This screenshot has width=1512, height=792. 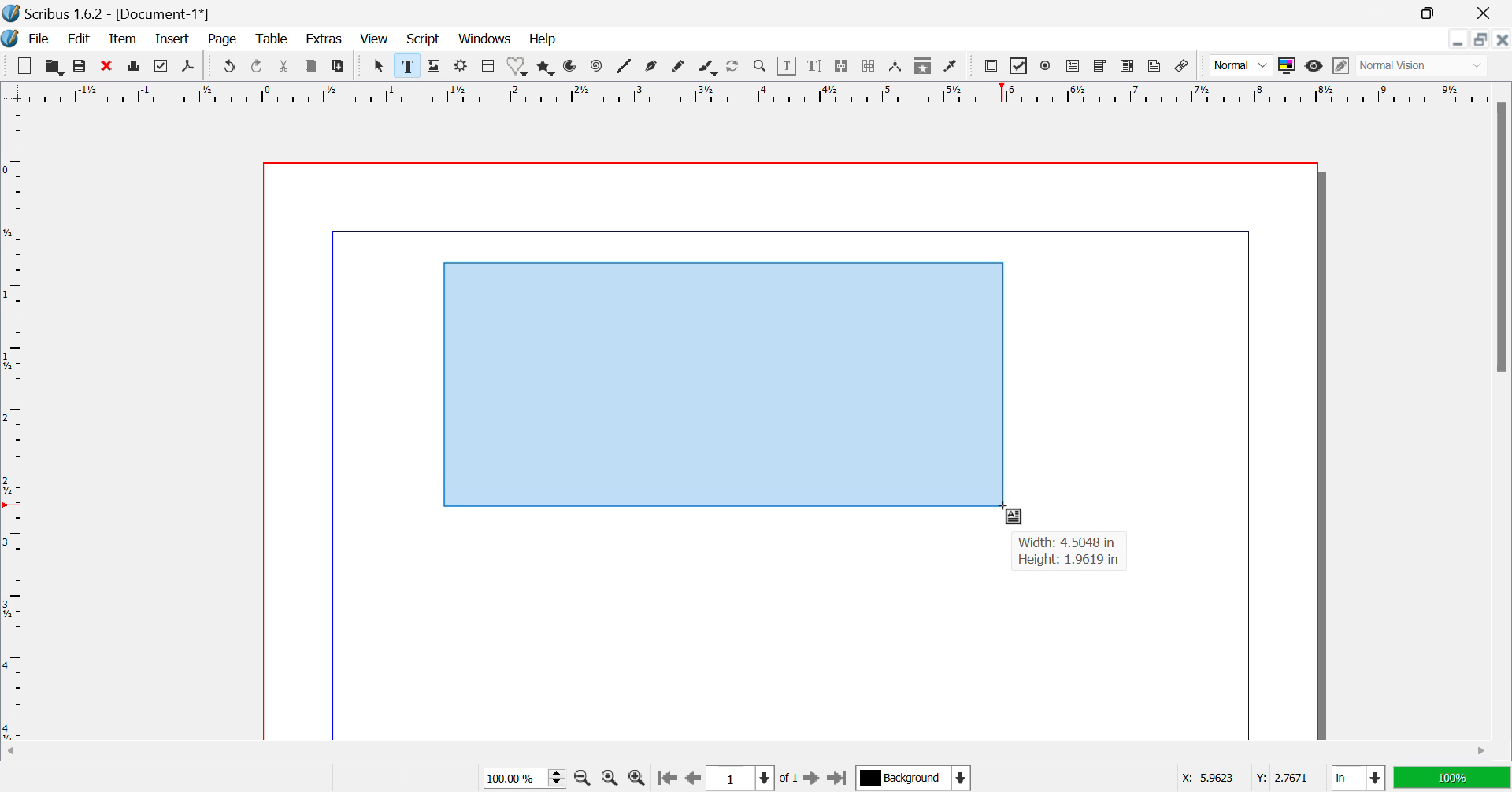 I want to click on Open, so click(x=54, y=66).